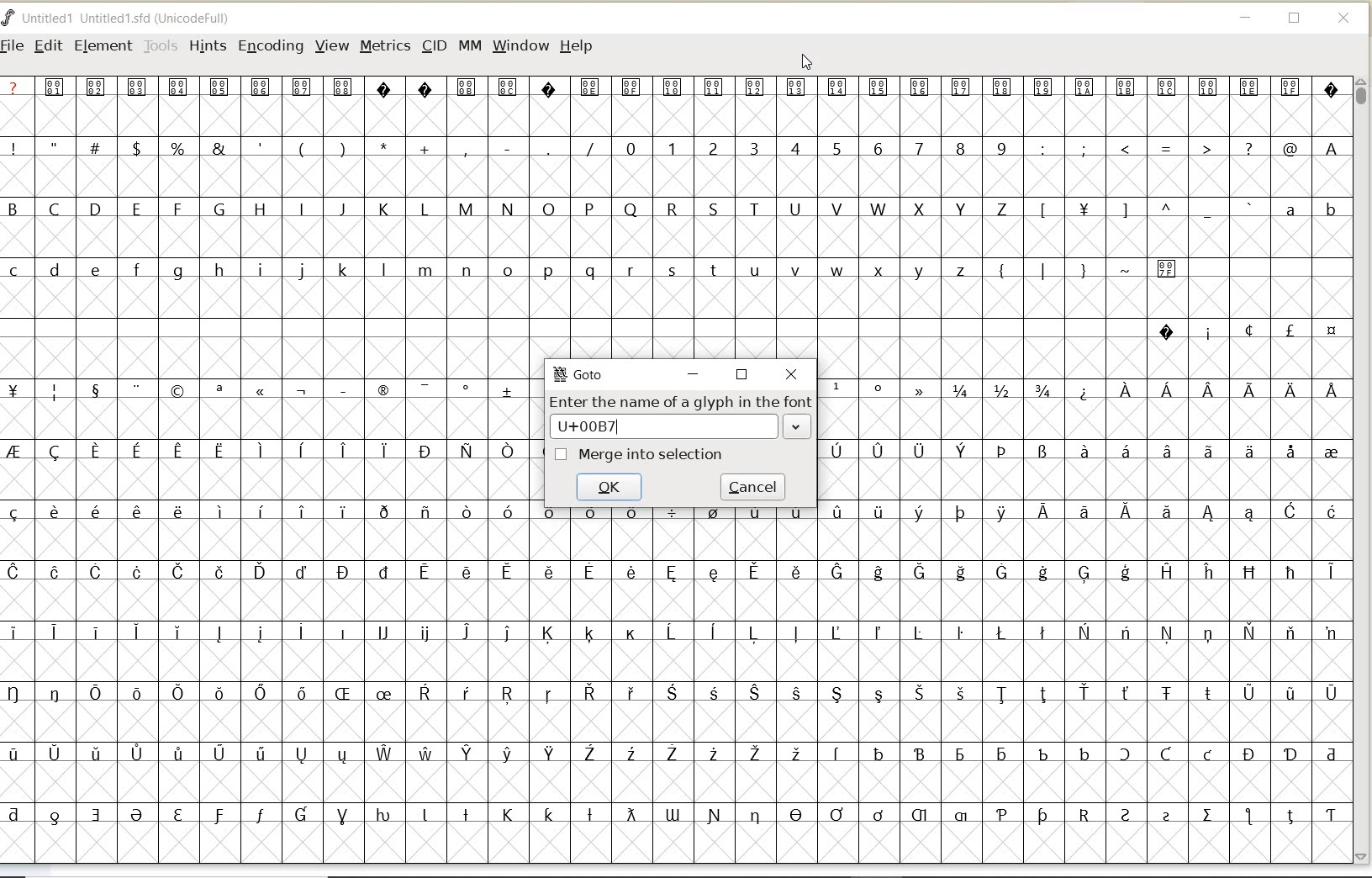 This screenshot has width=1372, height=878. I want to click on uppercase letters, so click(511, 209).